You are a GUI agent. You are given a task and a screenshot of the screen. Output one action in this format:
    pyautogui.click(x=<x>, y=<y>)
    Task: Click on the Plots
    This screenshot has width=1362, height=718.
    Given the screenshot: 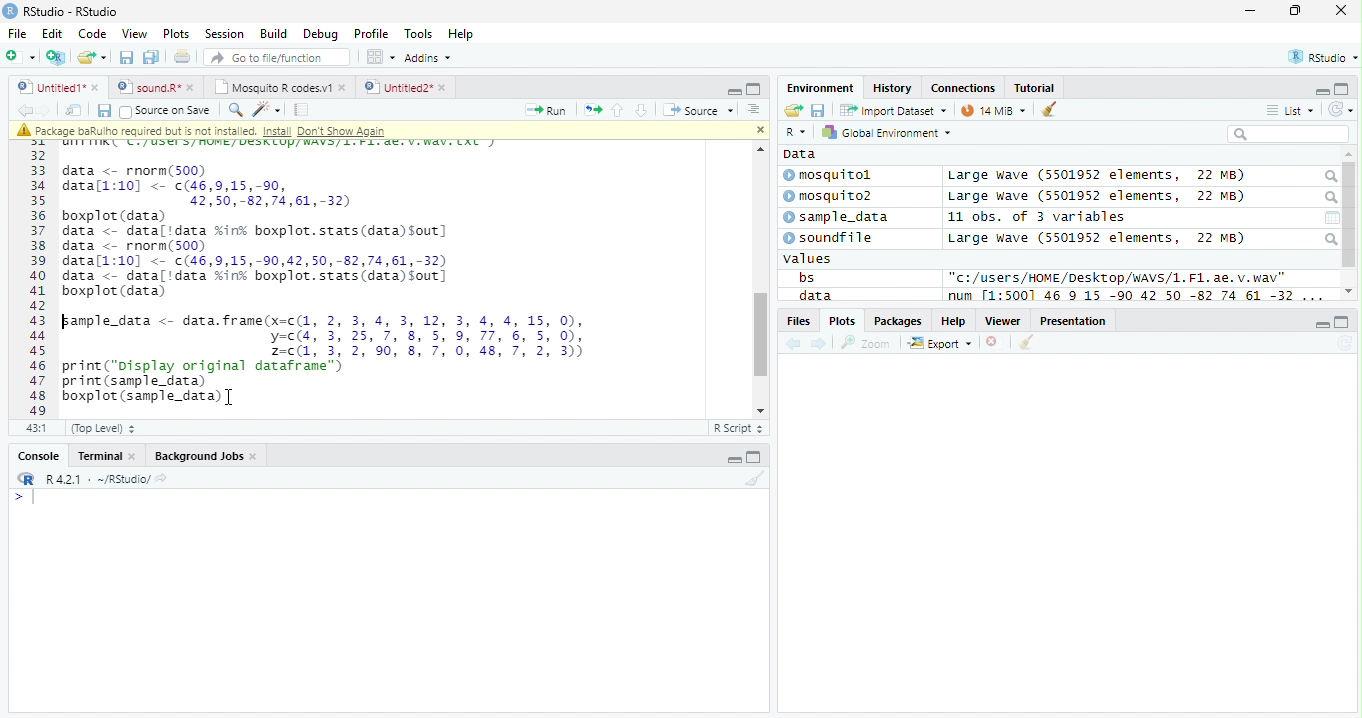 What is the action you would take?
    pyautogui.click(x=177, y=34)
    